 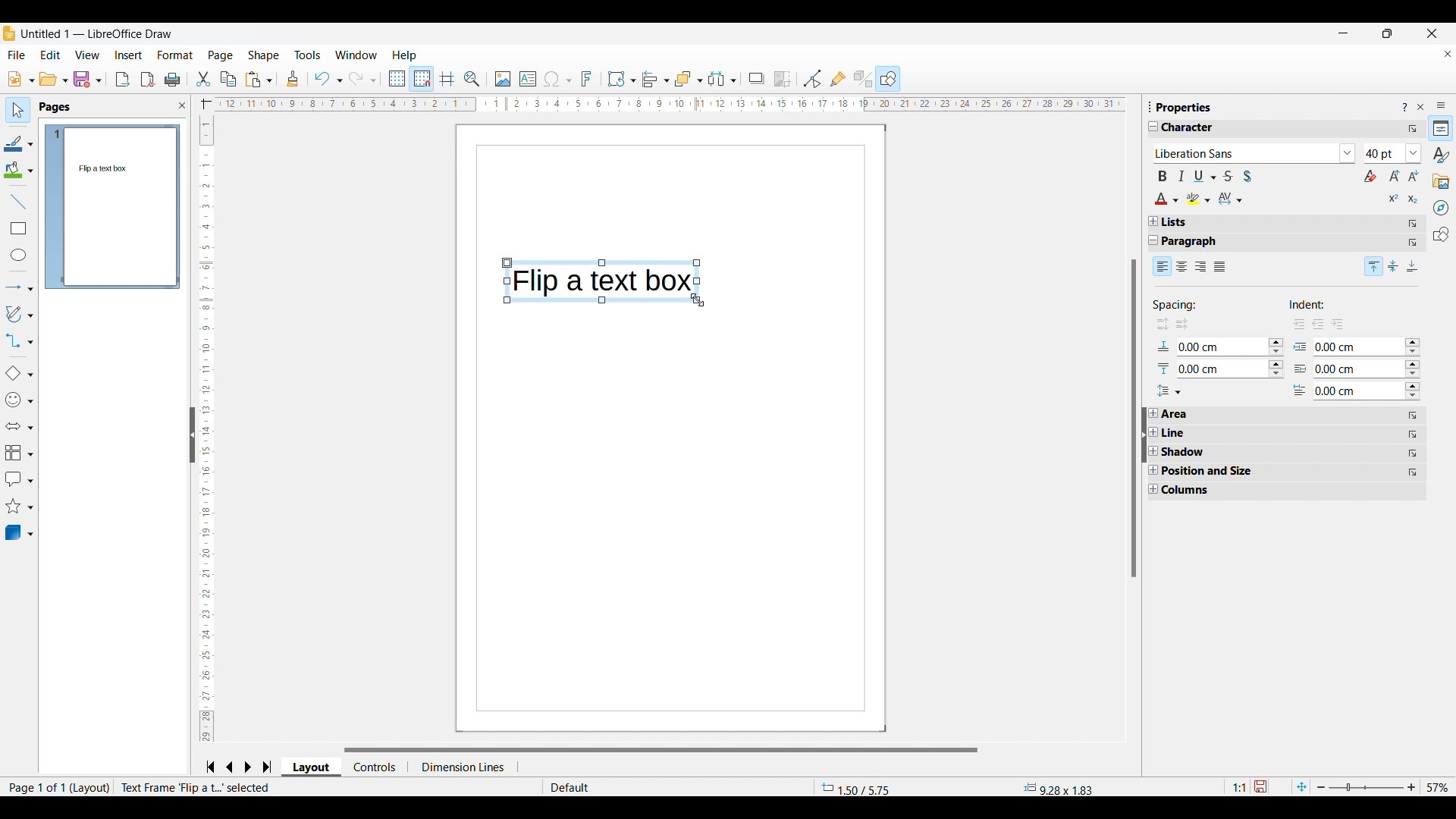 I want to click on Jump to frist slide, so click(x=210, y=767).